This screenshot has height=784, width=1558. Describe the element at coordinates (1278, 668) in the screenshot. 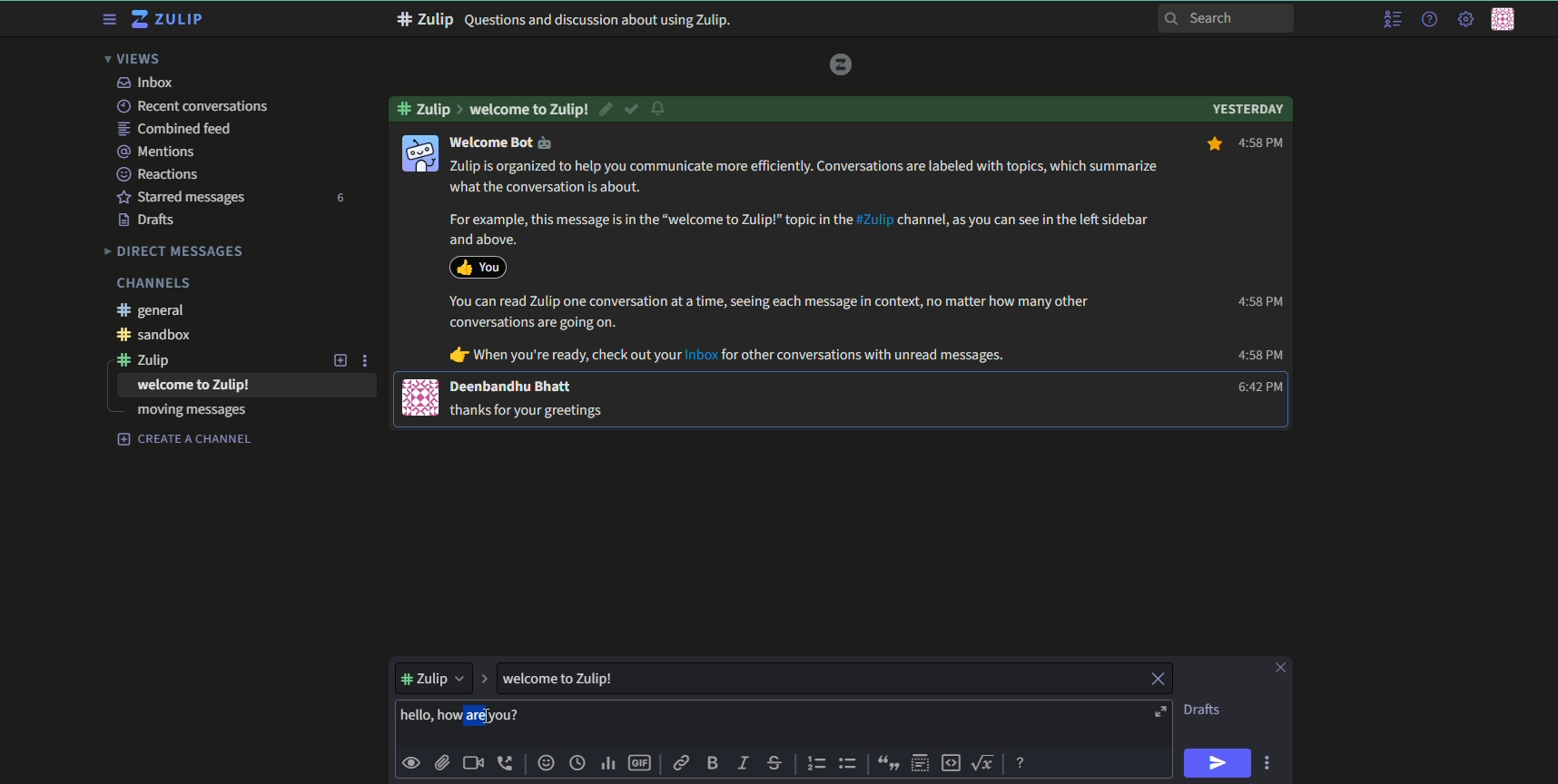

I see `close` at that location.